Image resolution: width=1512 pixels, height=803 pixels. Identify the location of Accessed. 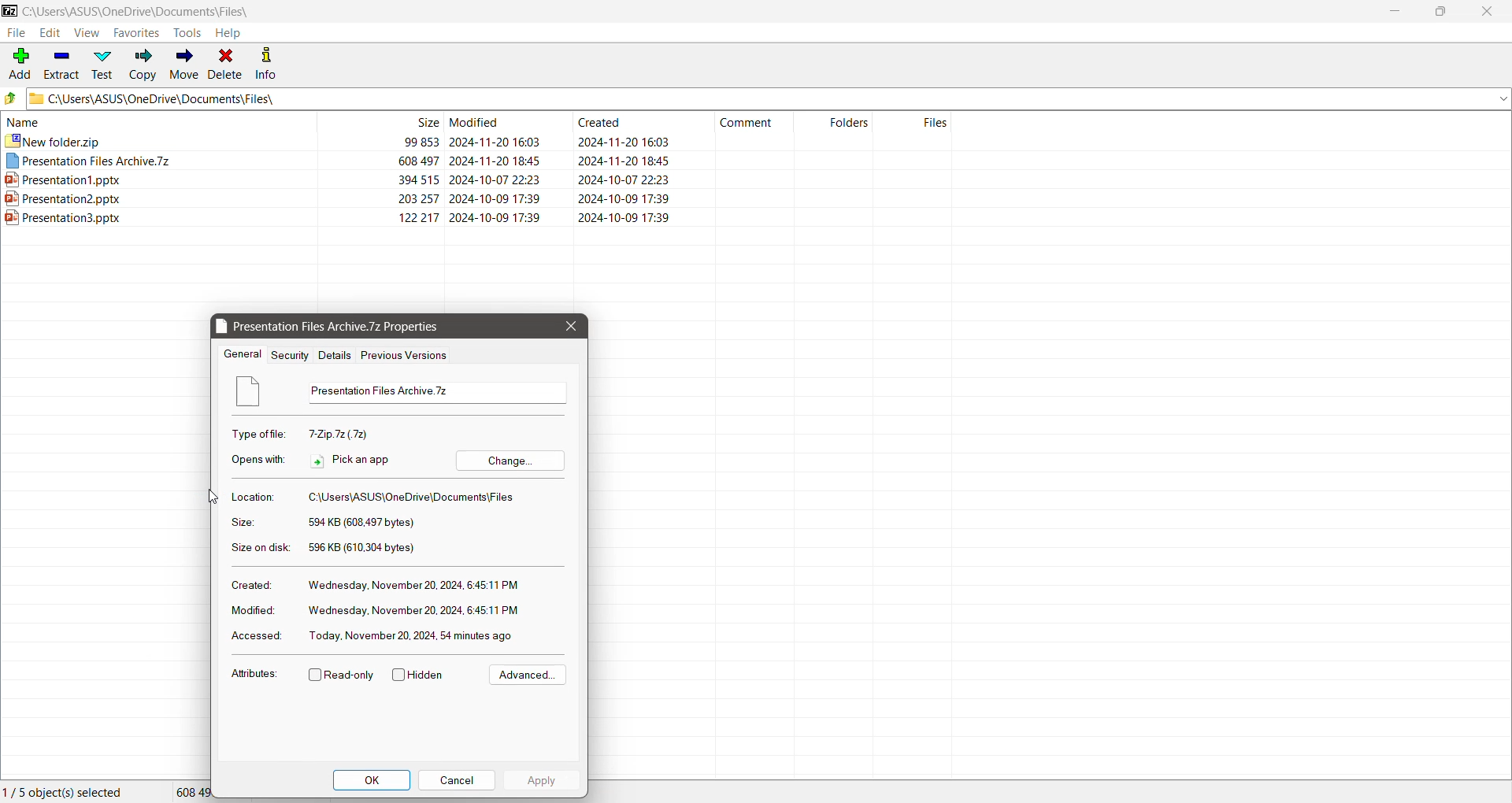
(256, 636).